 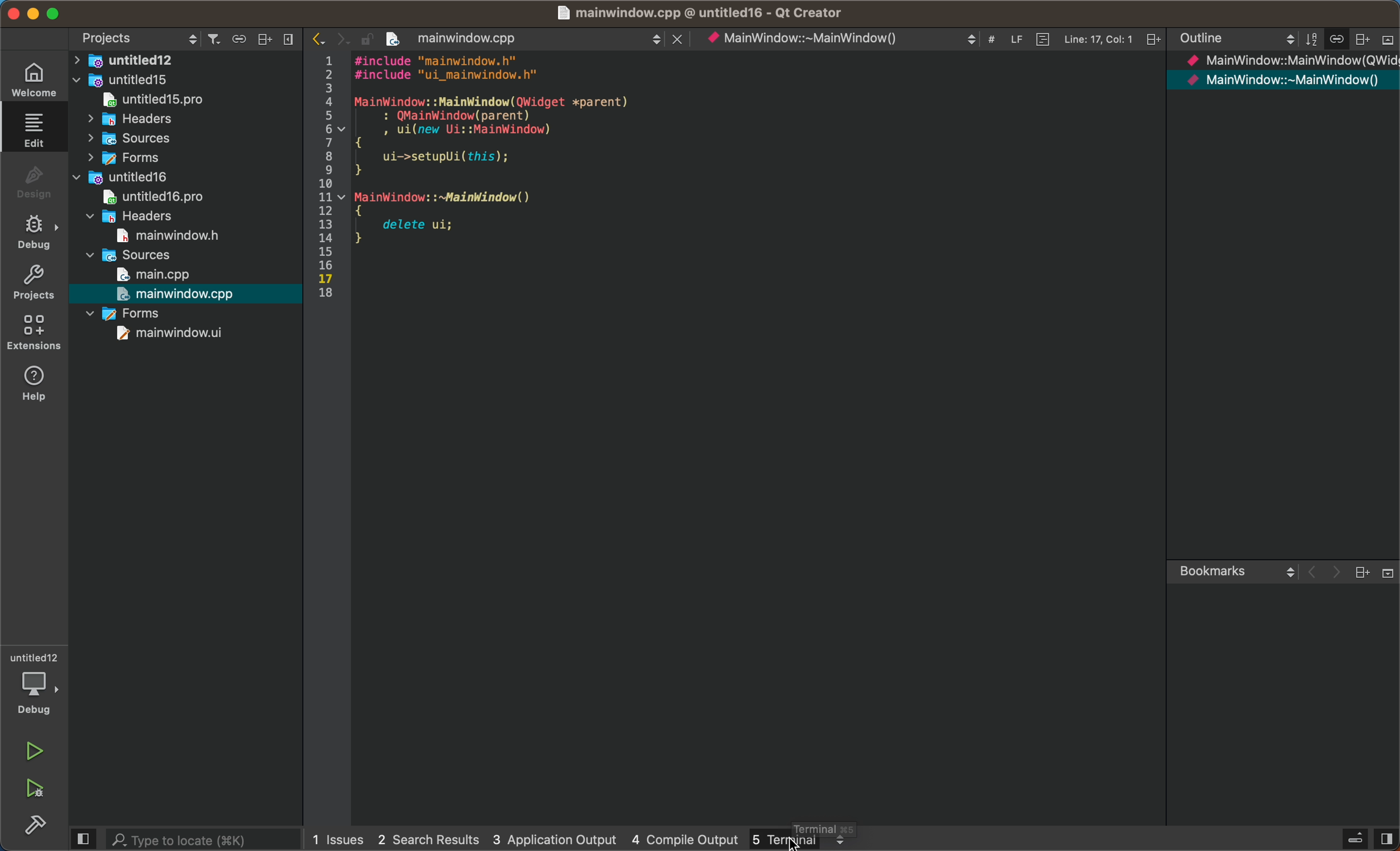 I want to click on debugger, so click(x=36, y=684).